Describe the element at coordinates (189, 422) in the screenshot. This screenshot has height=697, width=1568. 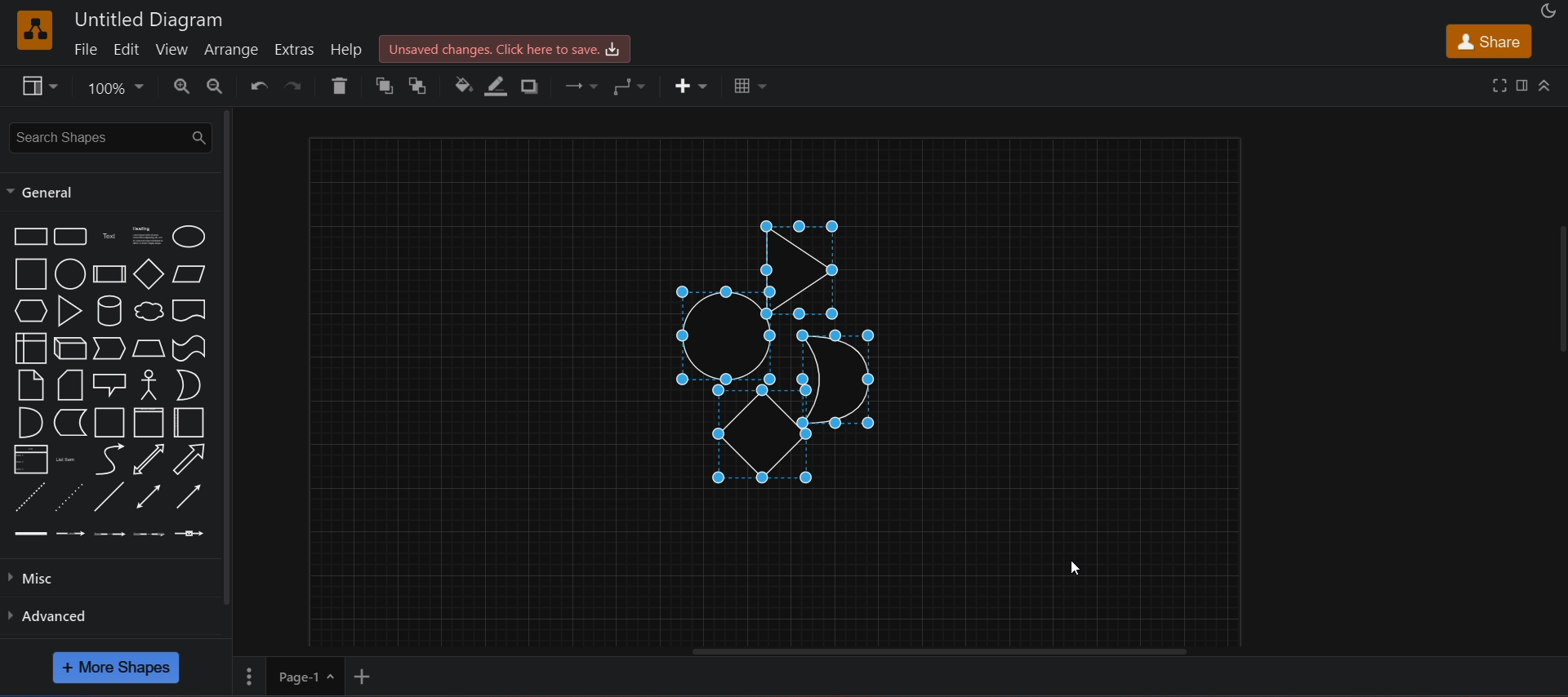
I see `horizontal container` at that location.